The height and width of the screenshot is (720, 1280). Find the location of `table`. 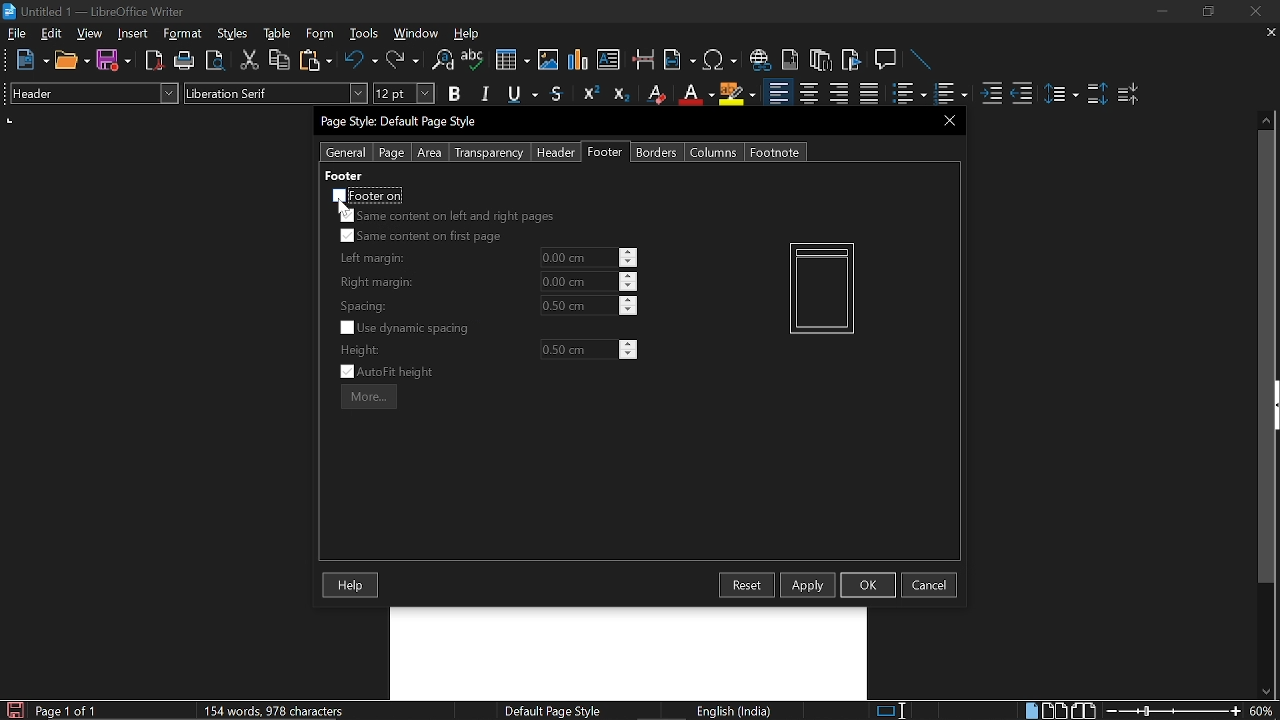

table is located at coordinates (278, 34).